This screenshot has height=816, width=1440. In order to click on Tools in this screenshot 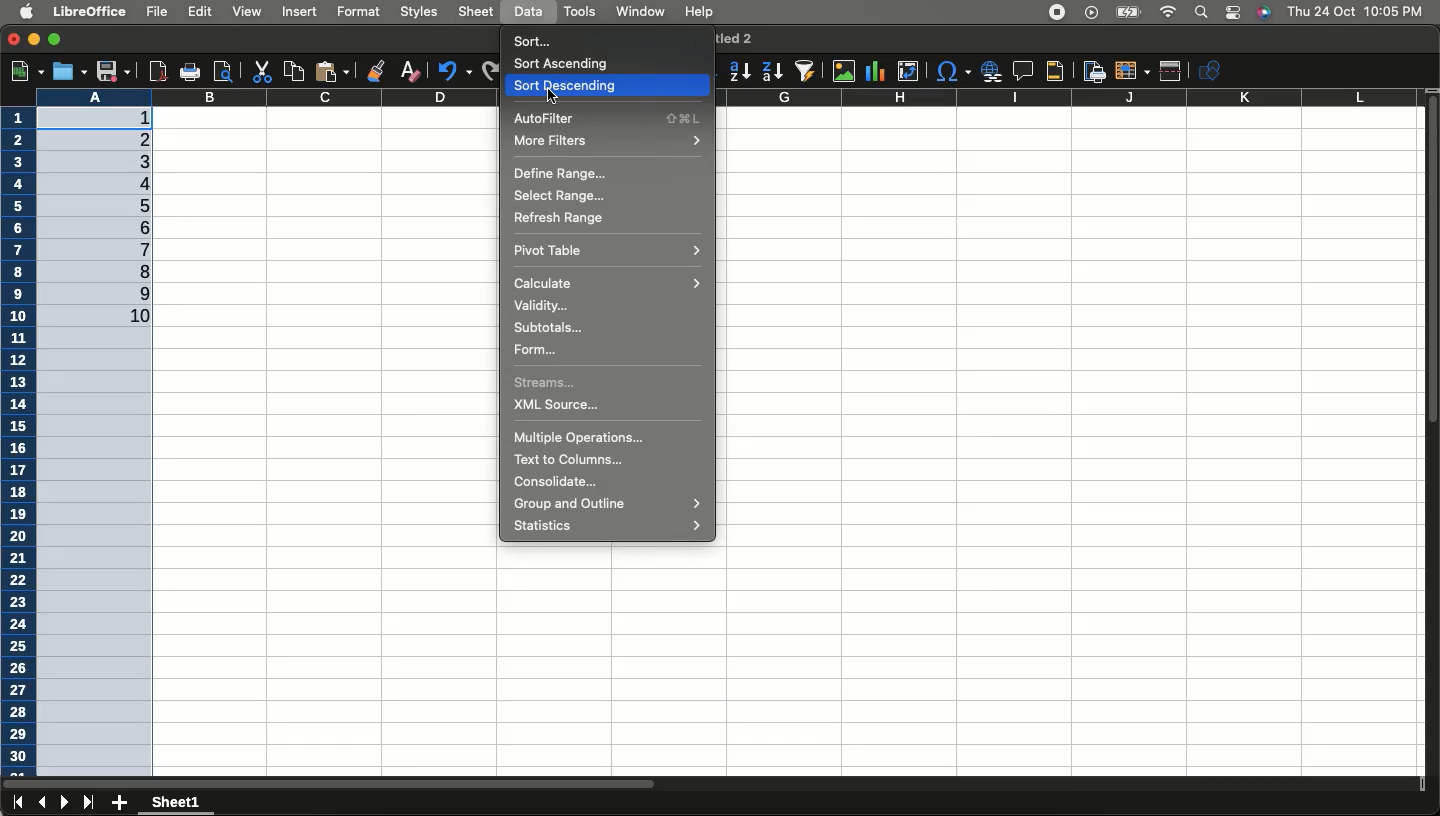, I will do `click(579, 12)`.